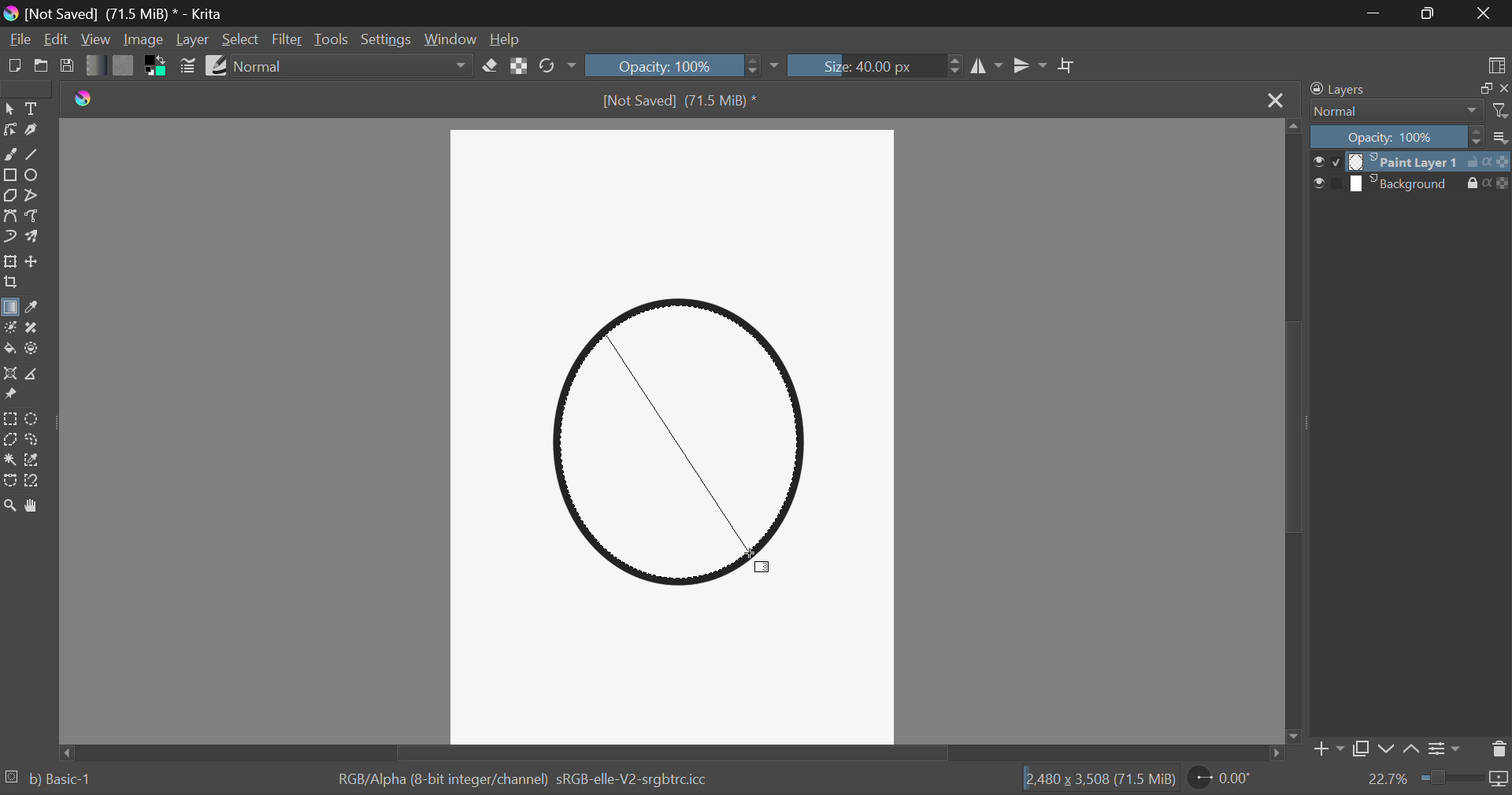  Describe the element at coordinates (36, 198) in the screenshot. I see `Polyline` at that location.